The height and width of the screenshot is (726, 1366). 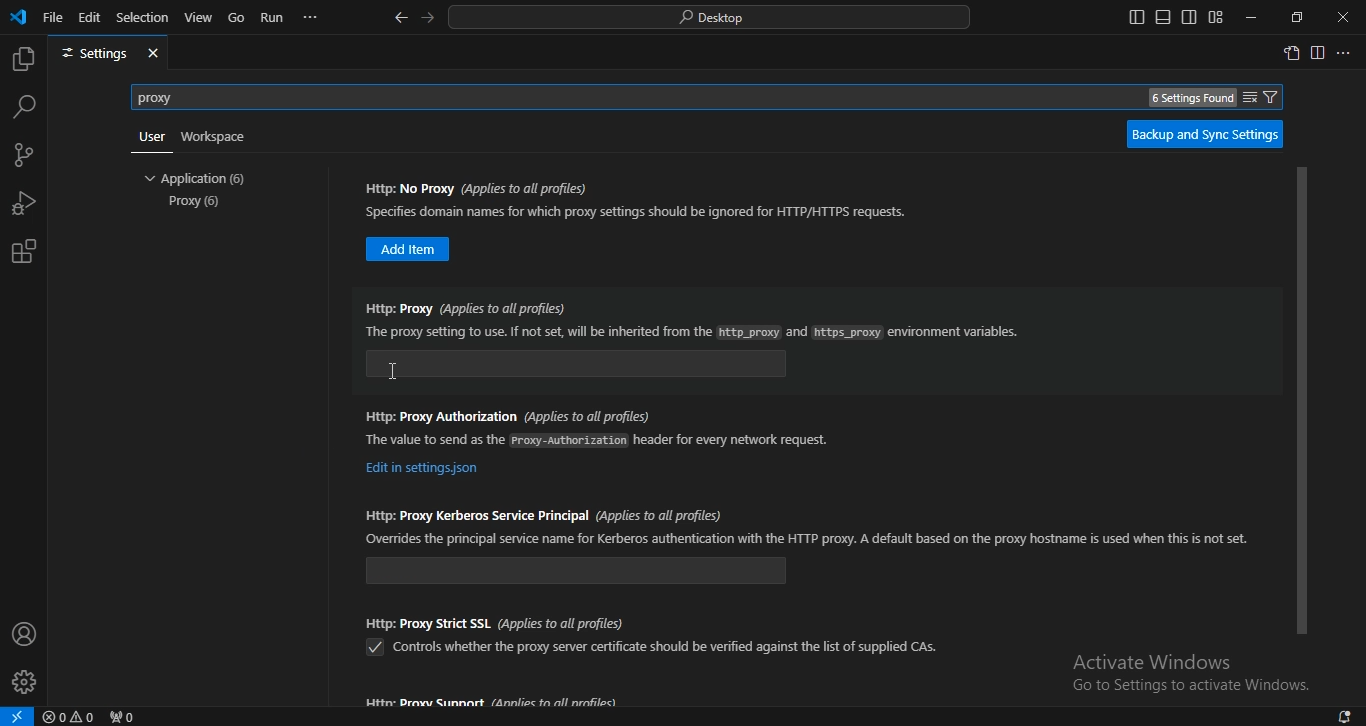 What do you see at coordinates (581, 365) in the screenshot?
I see `https: proxy` at bounding box center [581, 365].